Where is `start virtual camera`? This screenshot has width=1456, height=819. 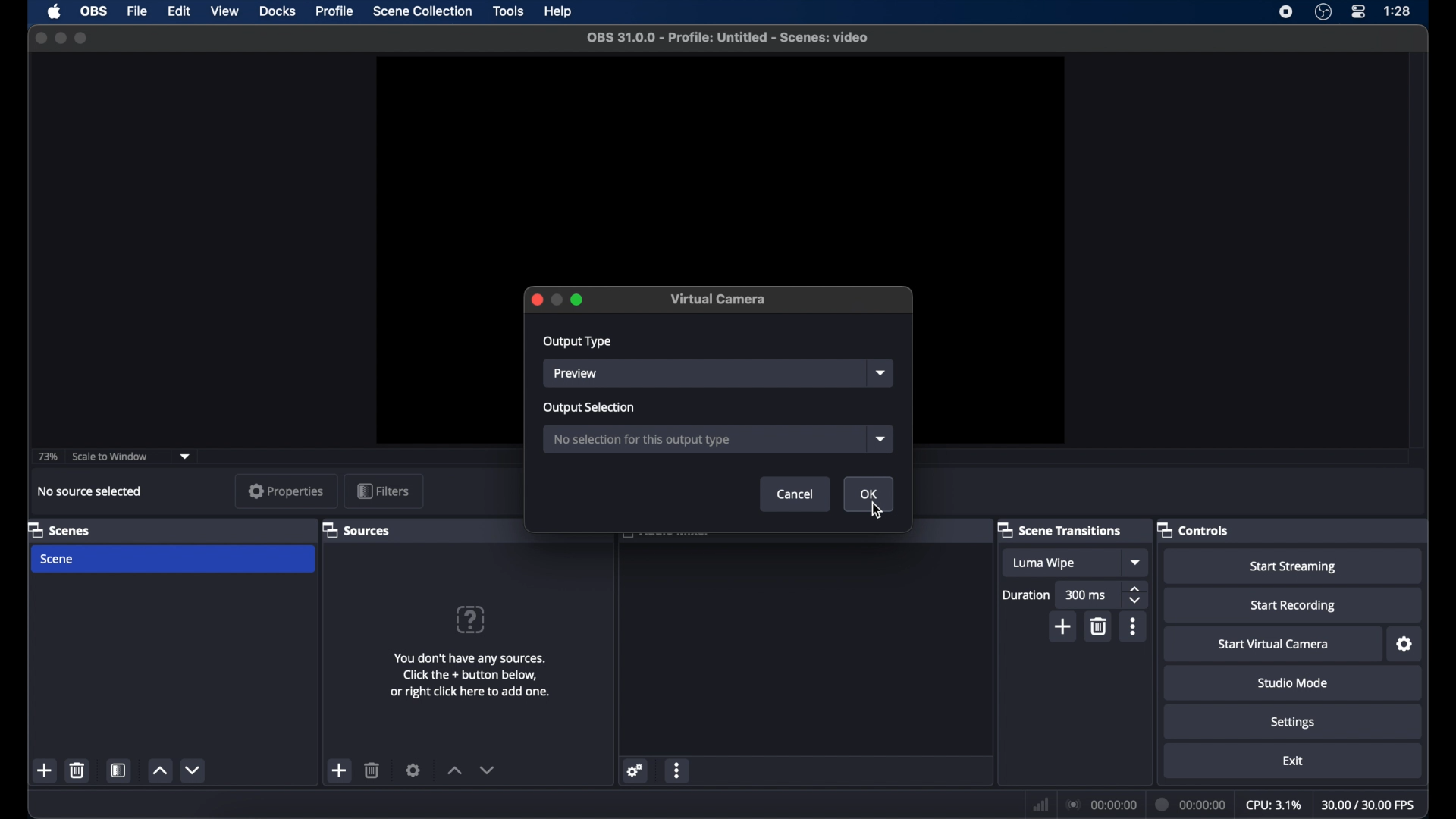 start virtual camera is located at coordinates (1273, 645).